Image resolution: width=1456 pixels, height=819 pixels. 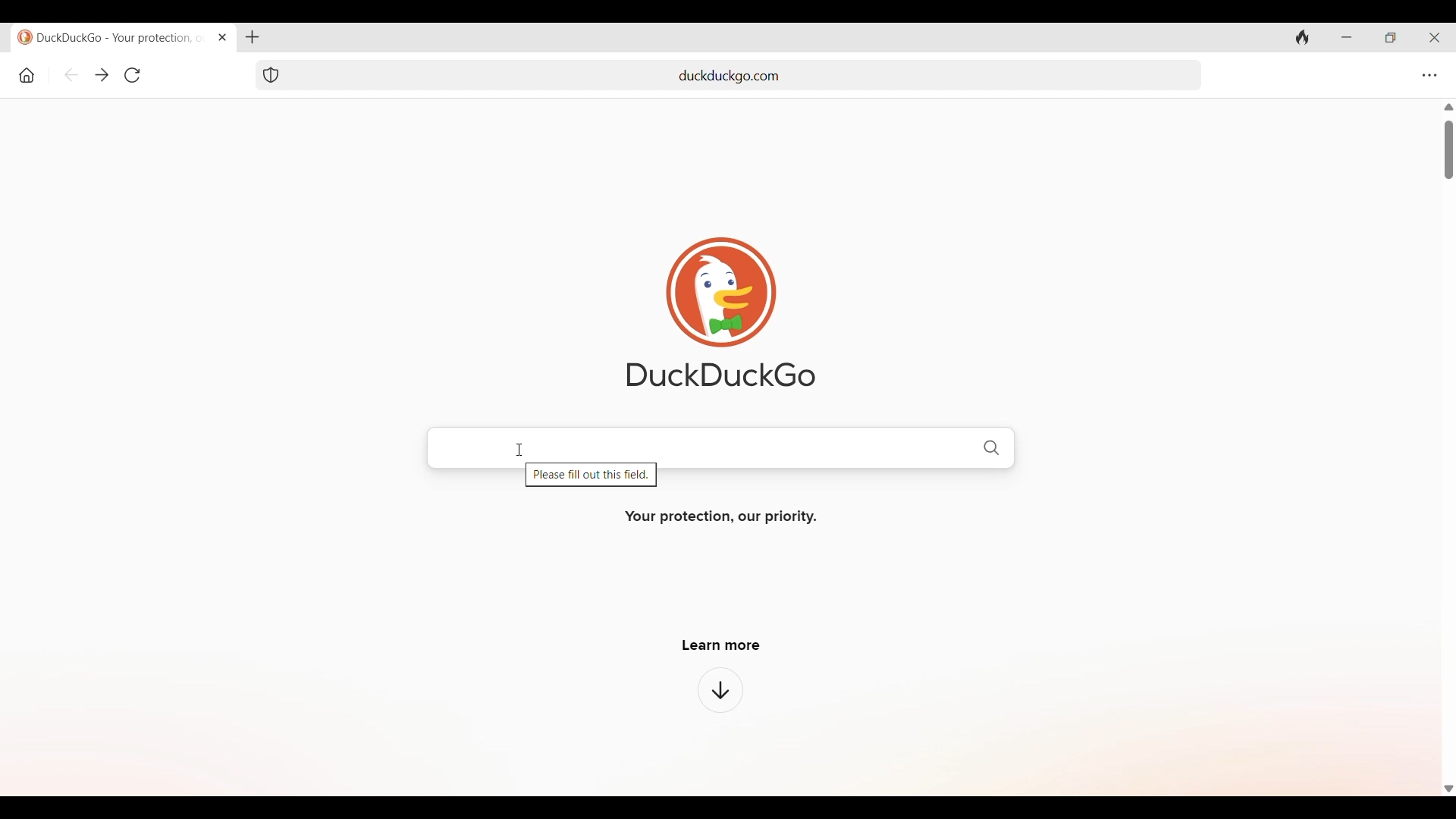 What do you see at coordinates (1448, 107) in the screenshot?
I see `Quick slide to the top` at bounding box center [1448, 107].